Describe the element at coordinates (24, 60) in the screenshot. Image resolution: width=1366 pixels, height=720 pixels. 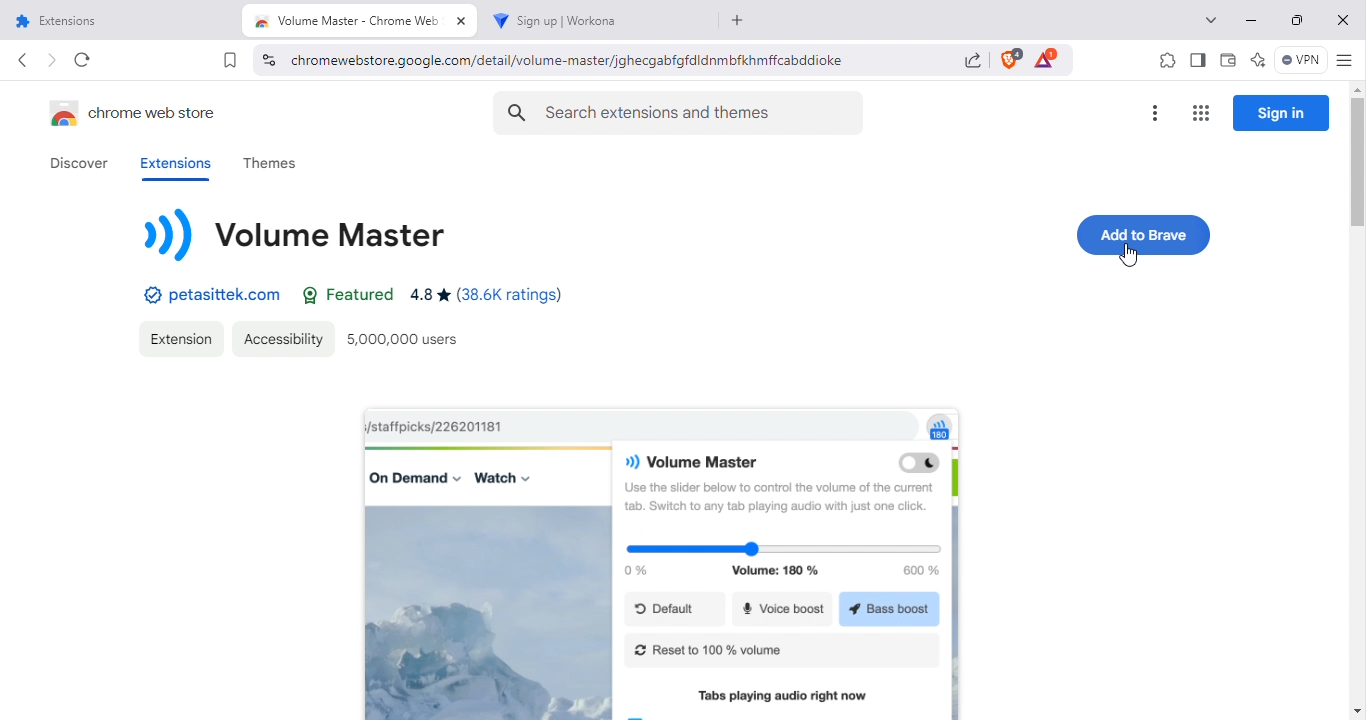
I see `Click to go back` at that location.